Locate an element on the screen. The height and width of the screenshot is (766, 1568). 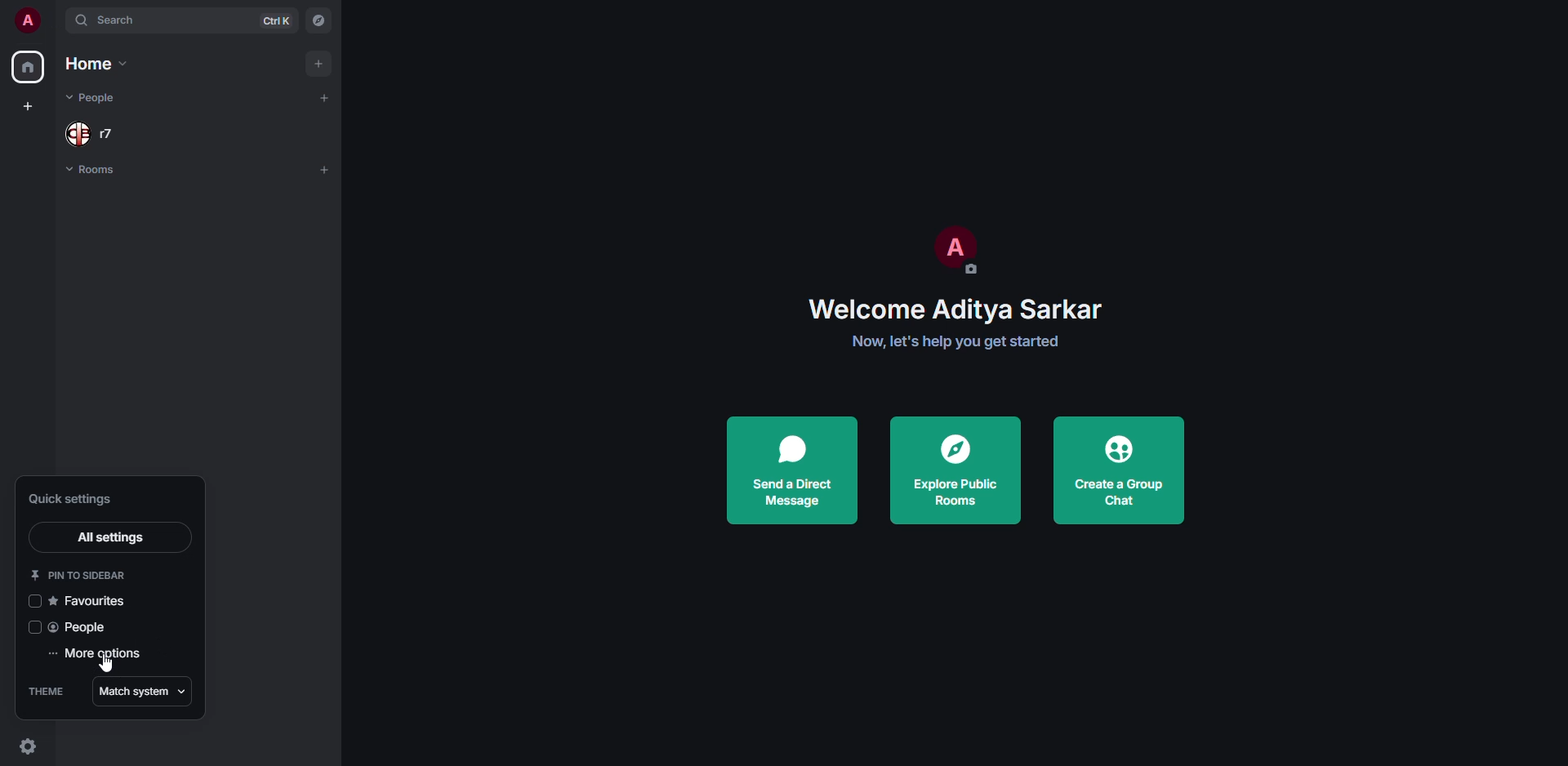
search is located at coordinates (119, 21).